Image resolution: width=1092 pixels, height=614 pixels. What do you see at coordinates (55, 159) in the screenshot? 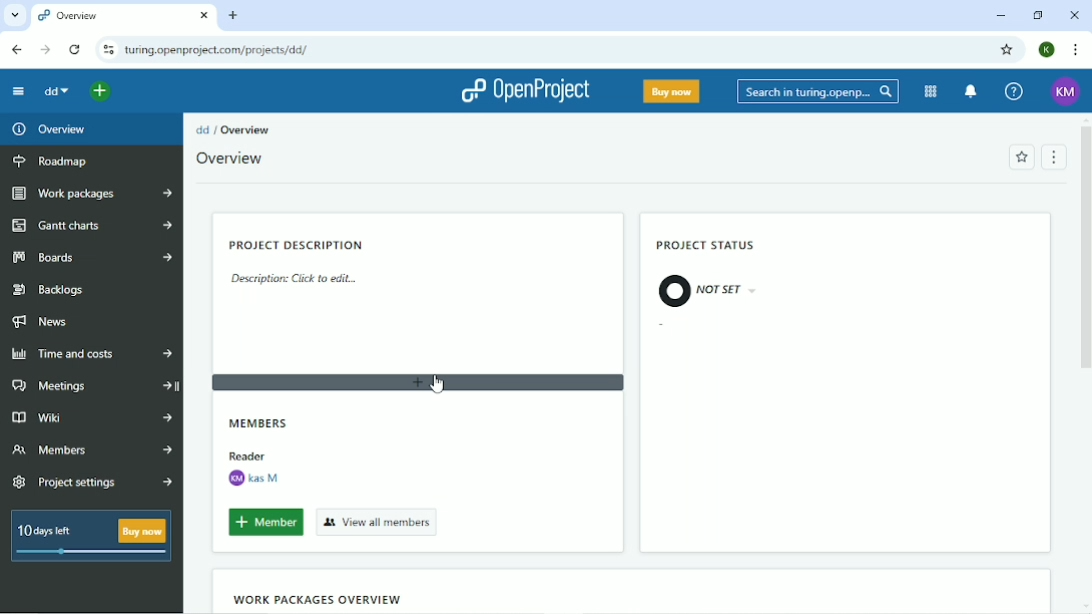
I see `Roadmap` at bounding box center [55, 159].